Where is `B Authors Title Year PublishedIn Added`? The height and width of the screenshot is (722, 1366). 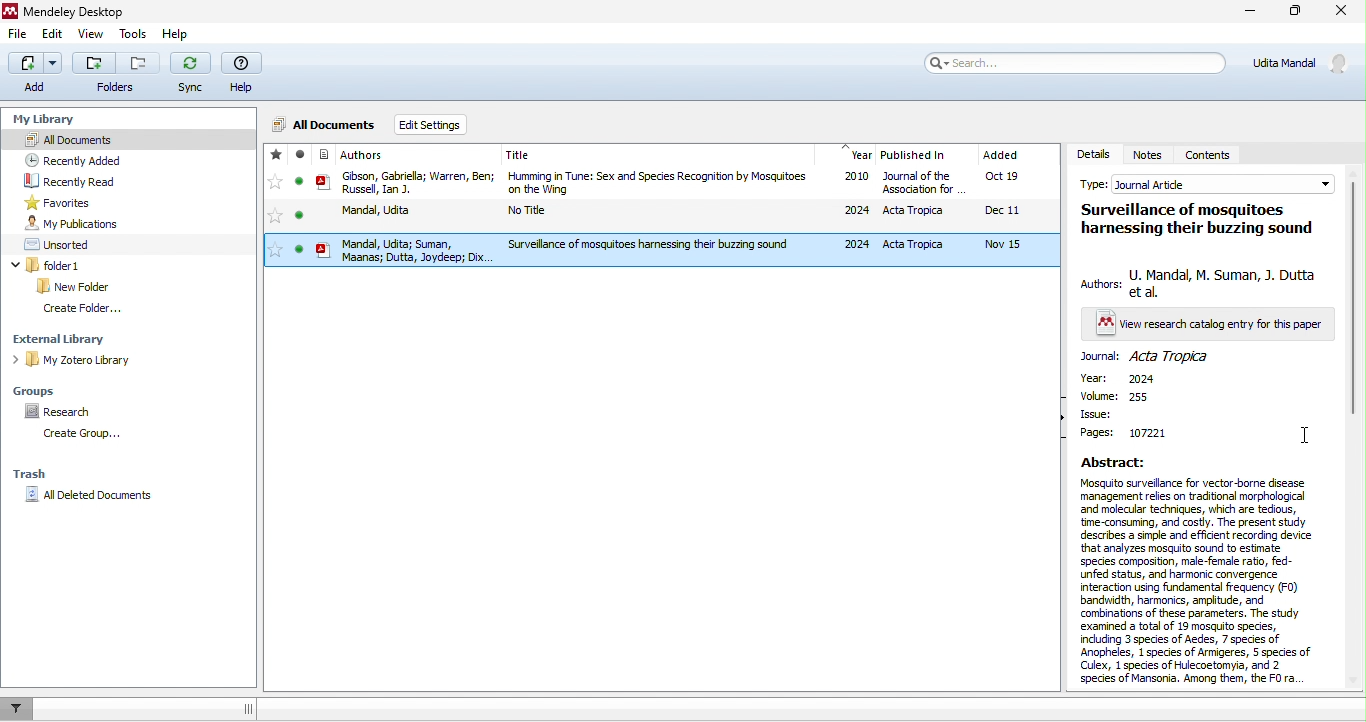
B Authors Title Year PublishedIn Added is located at coordinates (671, 152).